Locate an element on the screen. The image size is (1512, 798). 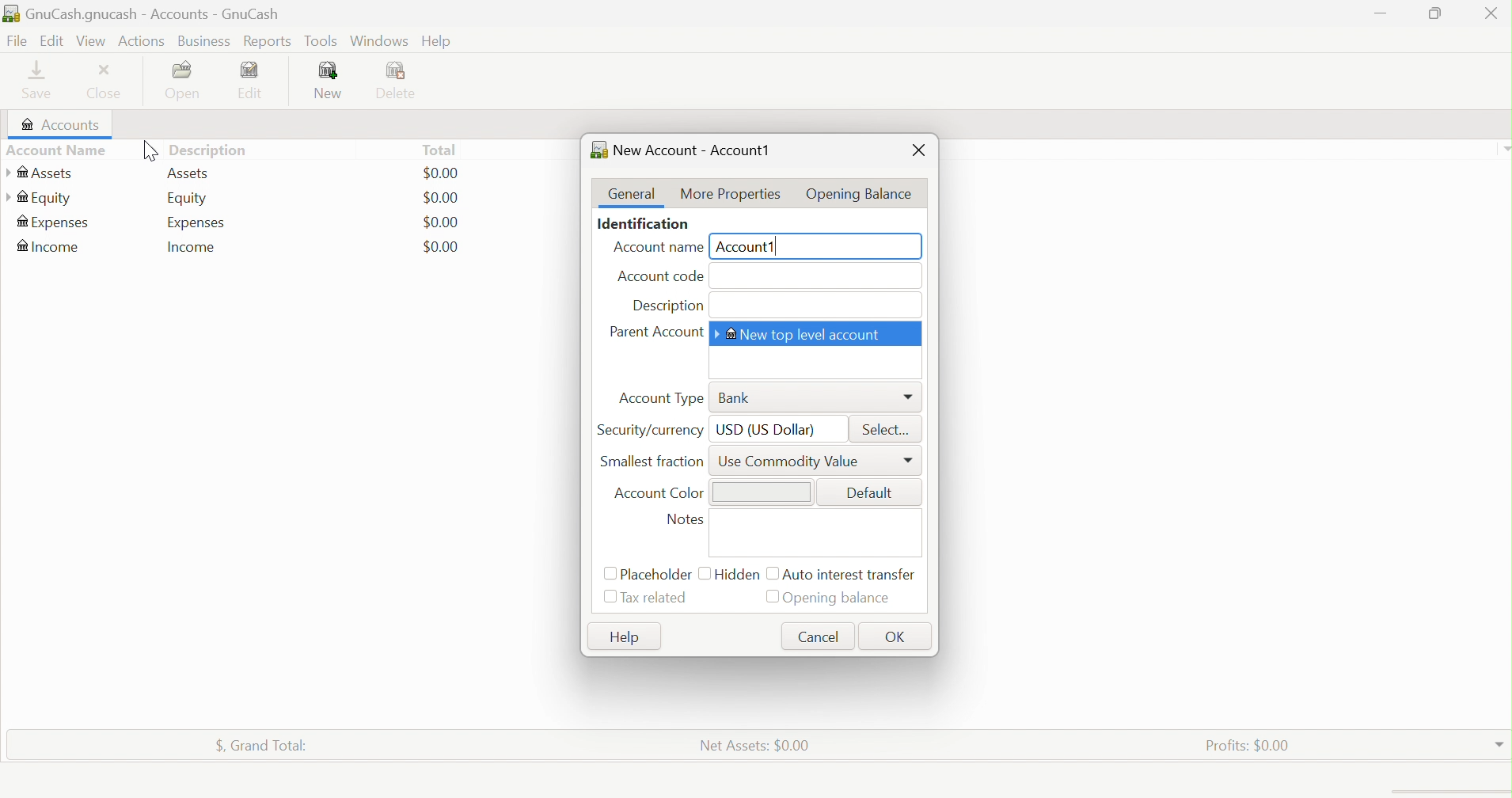
Help is located at coordinates (438, 42).